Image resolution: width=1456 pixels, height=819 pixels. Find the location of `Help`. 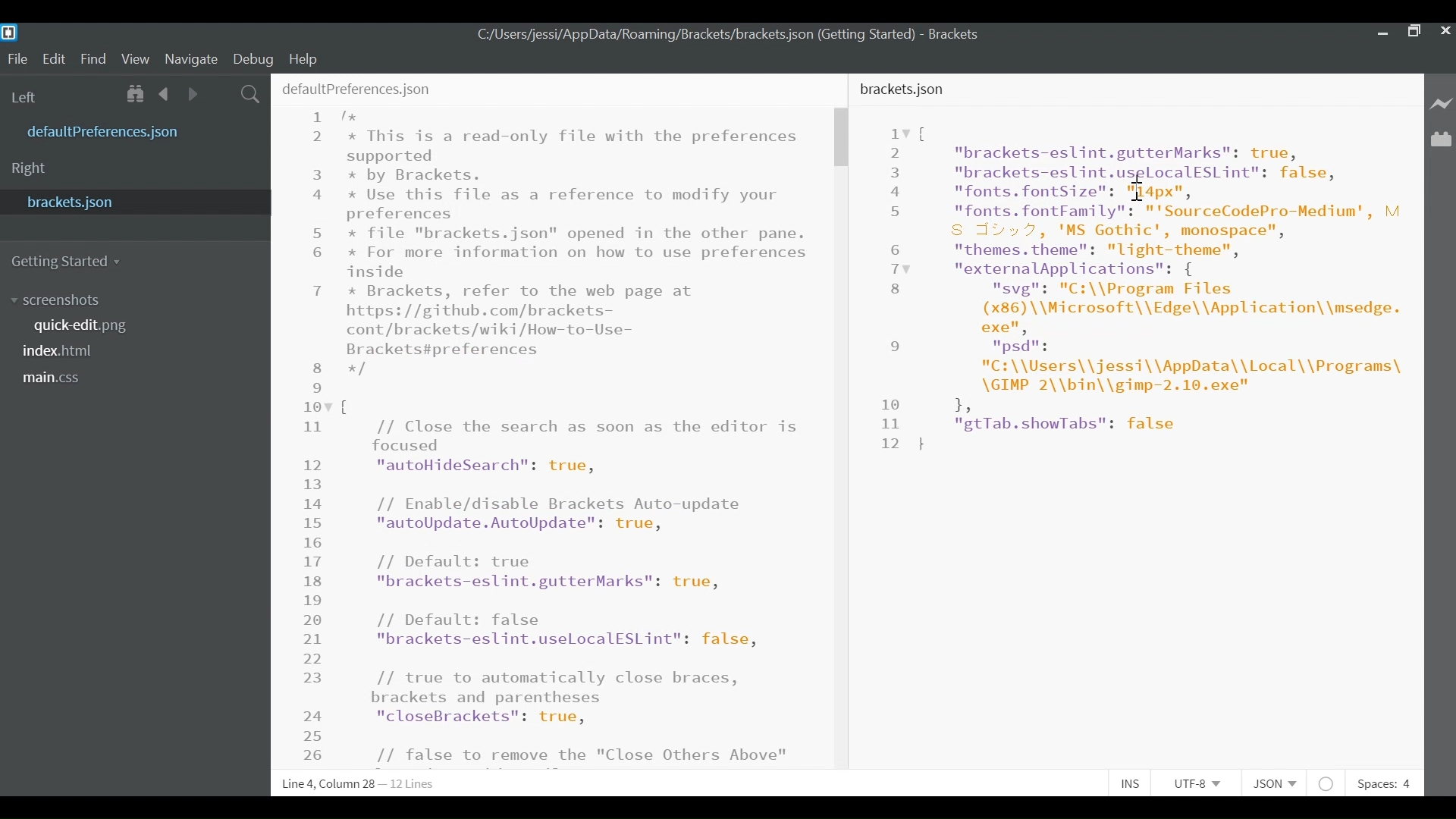

Help is located at coordinates (306, 58).